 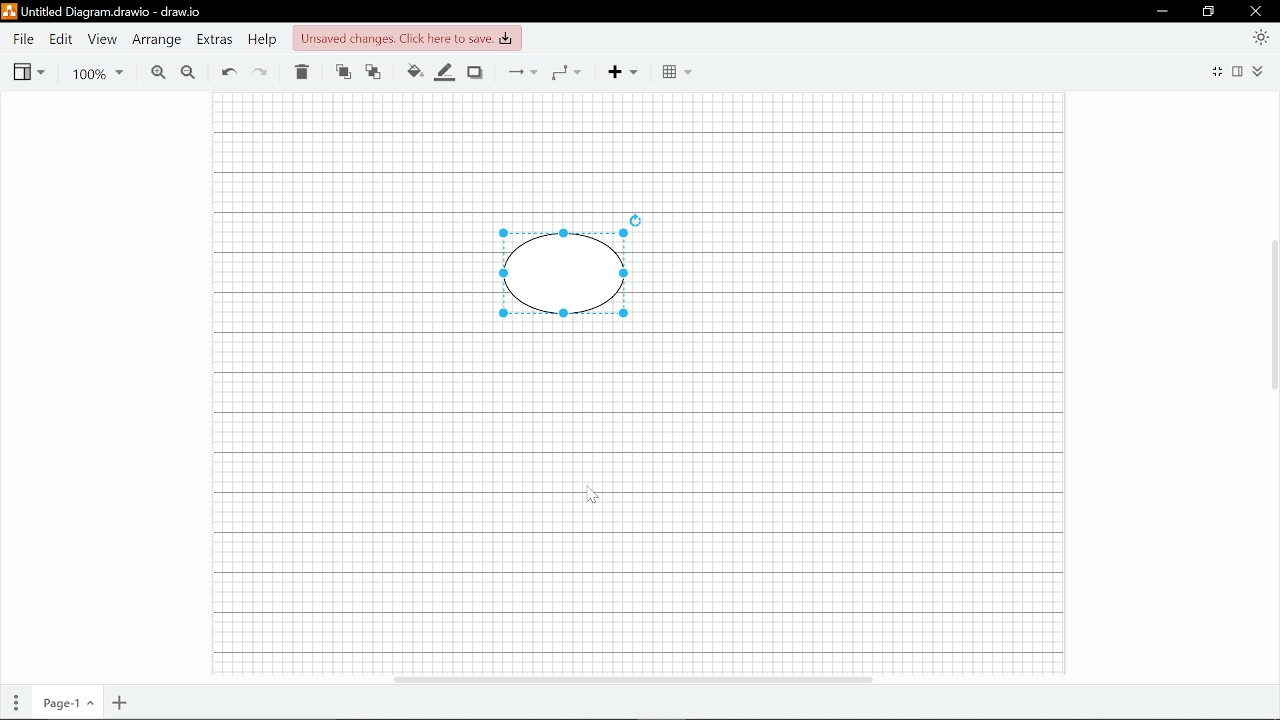 What do you see at coordinates (261, 74) in the screenshot?
I see `Redo` at bounding box center [261, 74].